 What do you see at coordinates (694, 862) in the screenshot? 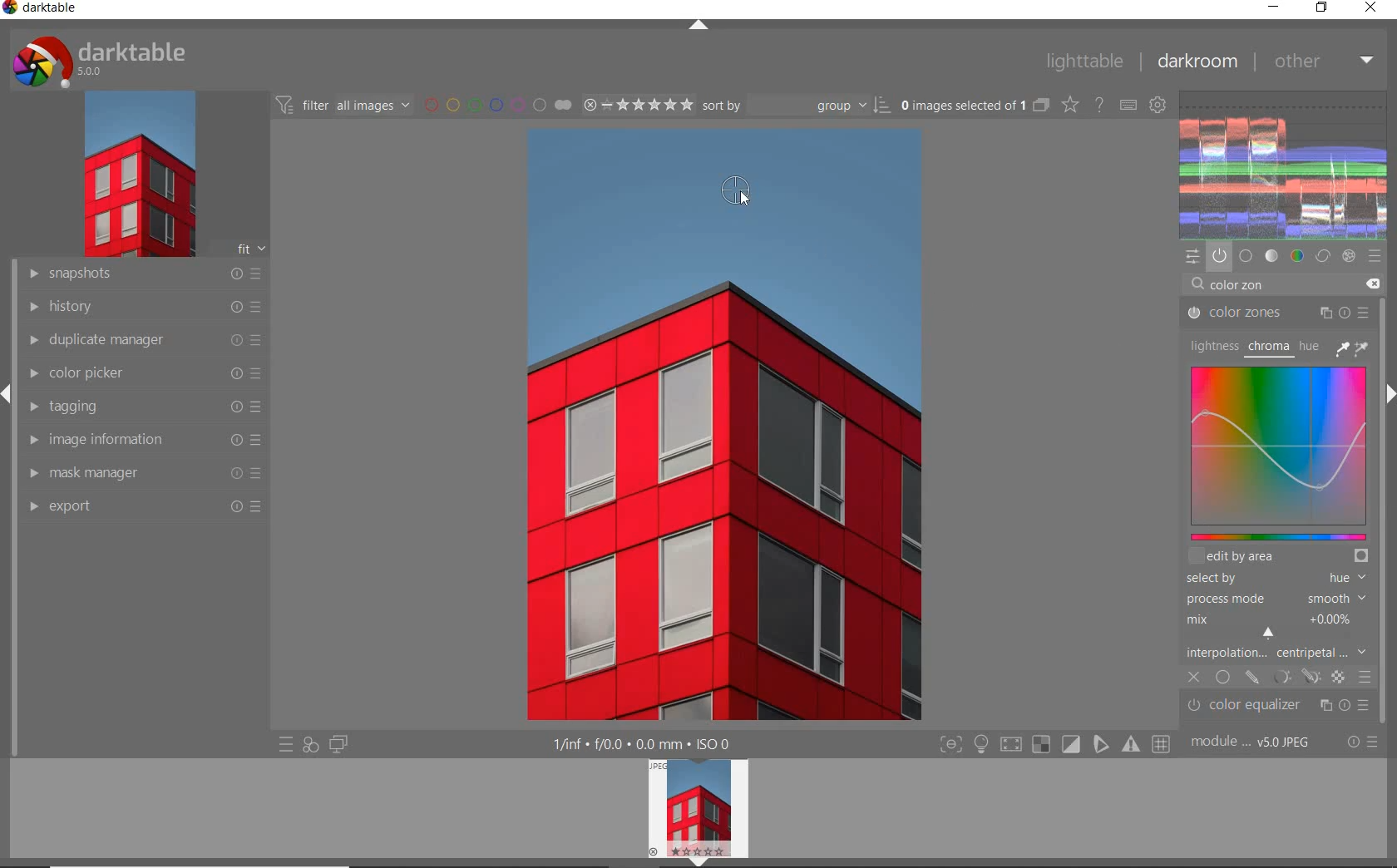
I see `expand/collapse` at bounding box center [694, 862].